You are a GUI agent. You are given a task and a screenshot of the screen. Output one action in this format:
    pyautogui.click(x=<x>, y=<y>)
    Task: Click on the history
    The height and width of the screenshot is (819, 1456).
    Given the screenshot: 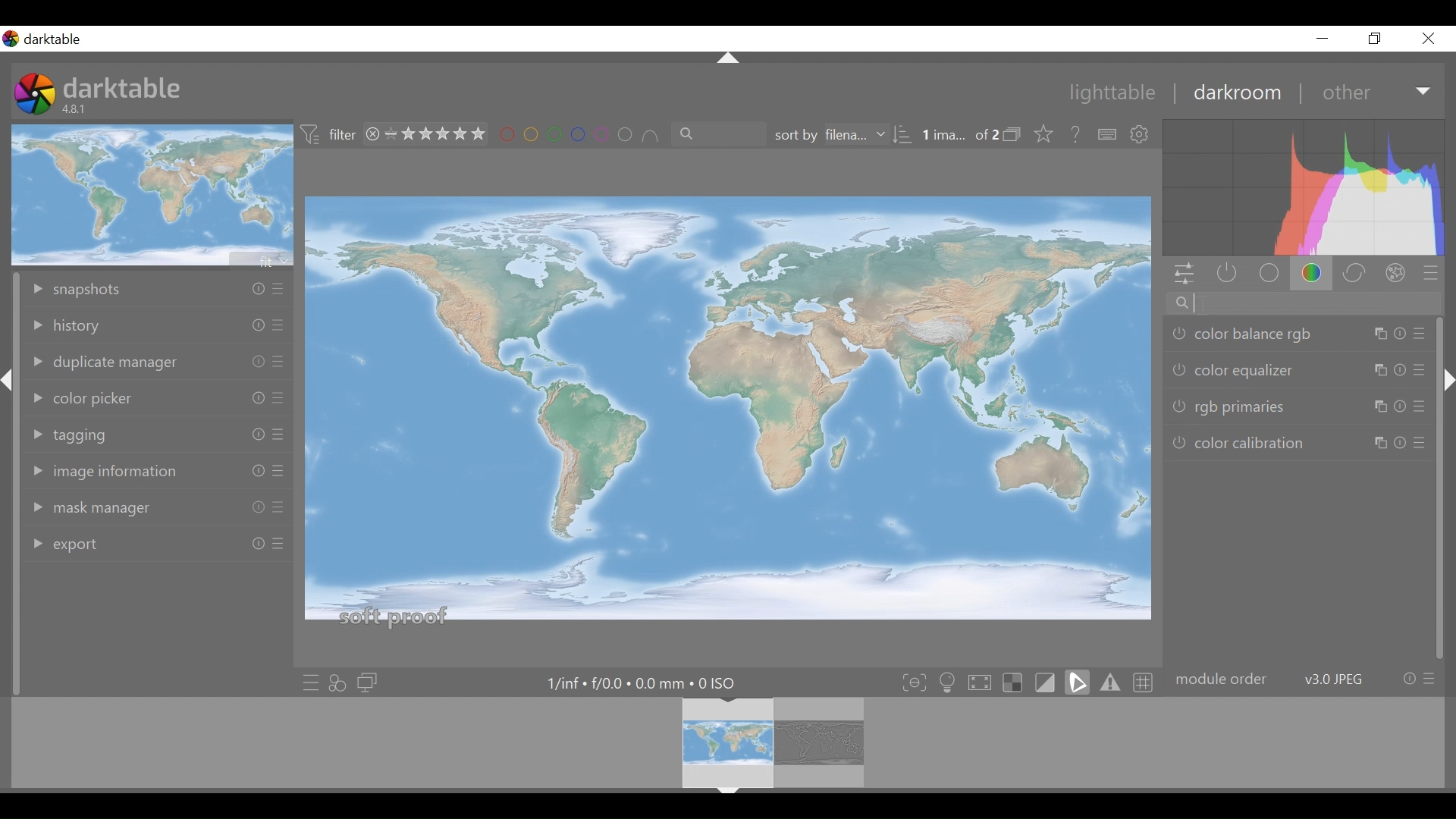 What is the action you would take?
    pyautogui.click(x=157, y=326)
    